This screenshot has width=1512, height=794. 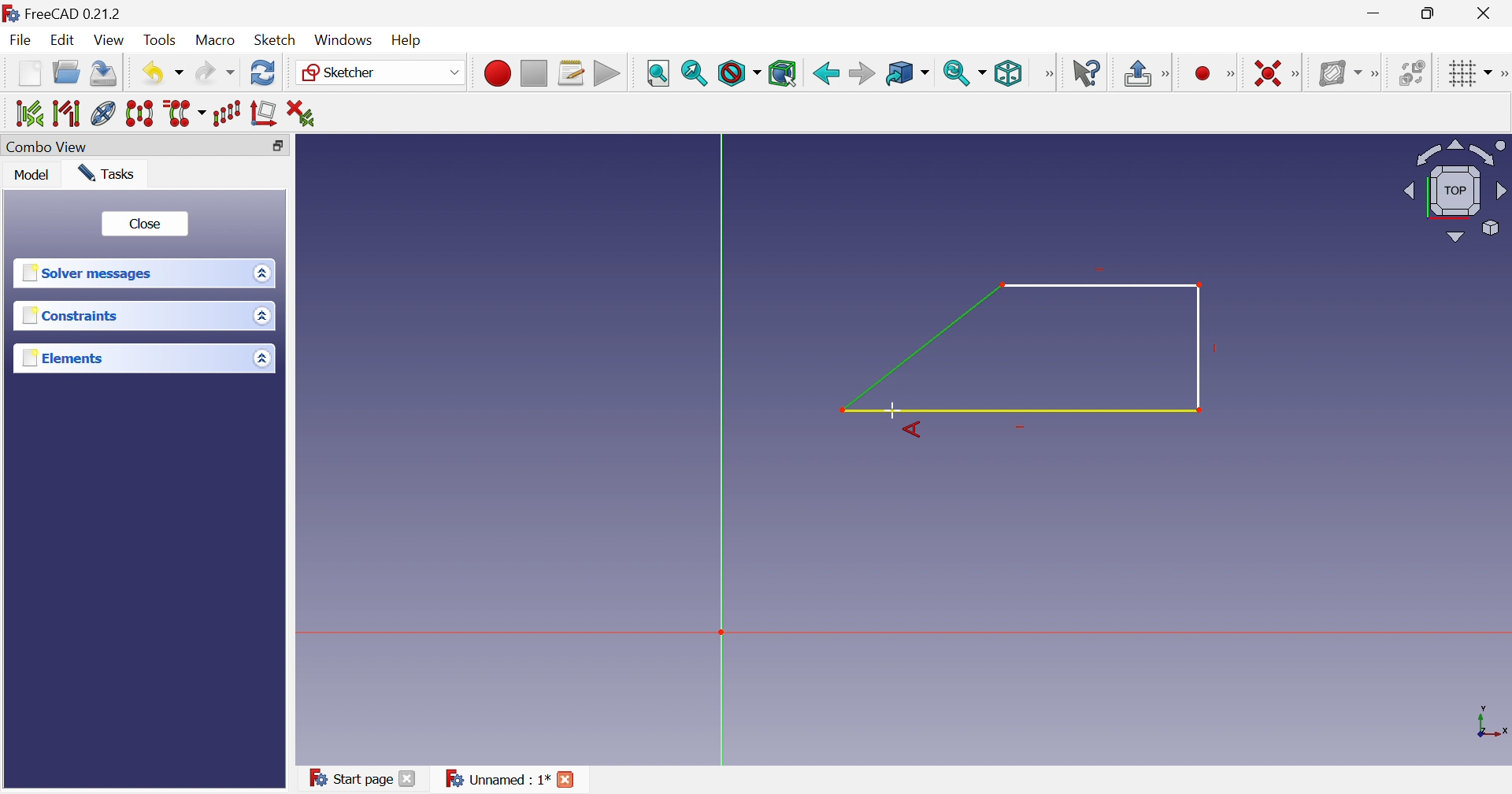 I want to click on Drop Down, so click(x=259, y=273).